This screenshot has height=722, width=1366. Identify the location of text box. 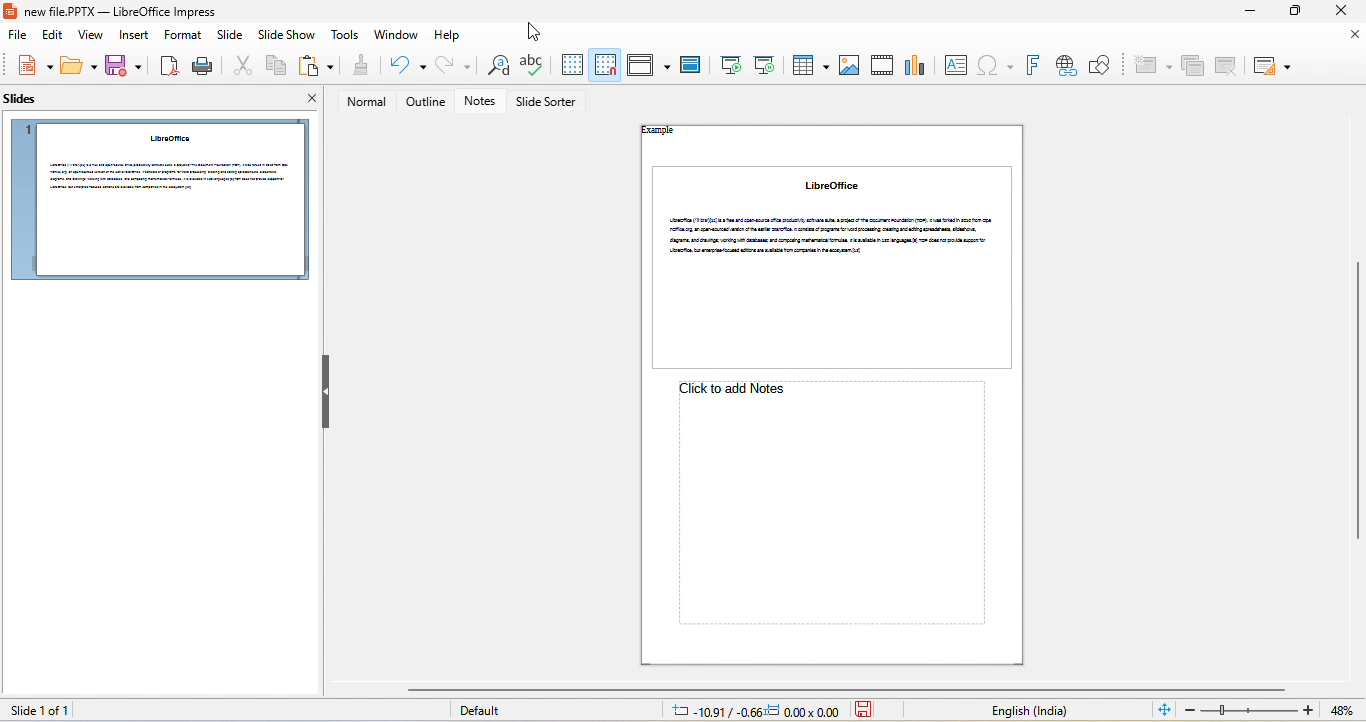
(955, 65).